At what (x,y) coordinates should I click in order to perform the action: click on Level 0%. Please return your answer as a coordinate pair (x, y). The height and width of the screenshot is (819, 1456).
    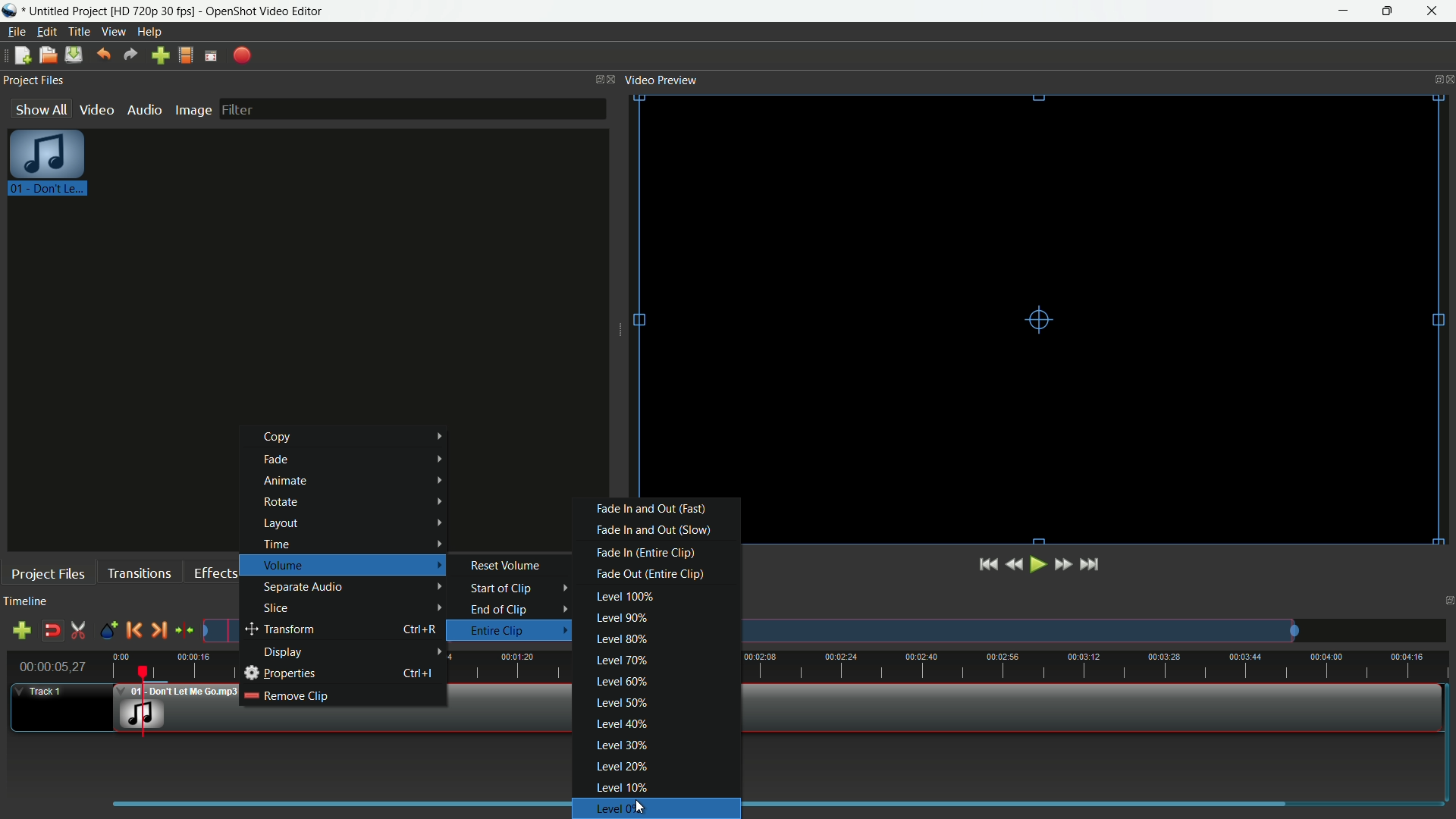
    Looking at the image, I should click on (638, 809).